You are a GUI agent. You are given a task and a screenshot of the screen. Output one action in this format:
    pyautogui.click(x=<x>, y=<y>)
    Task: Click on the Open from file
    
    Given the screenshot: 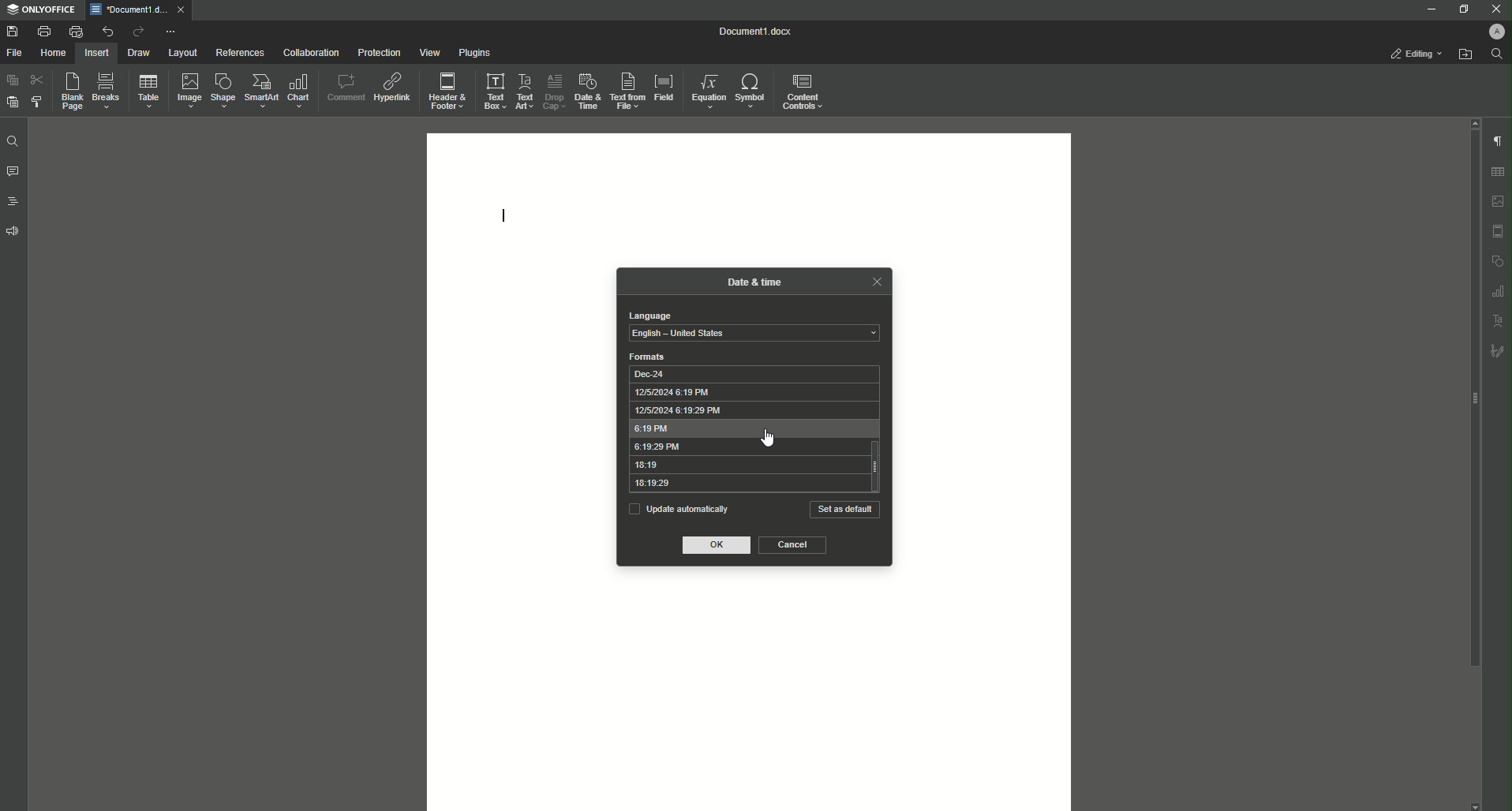 What is the action you would take?
    pyautogui.click(x=1465, y=54)
    